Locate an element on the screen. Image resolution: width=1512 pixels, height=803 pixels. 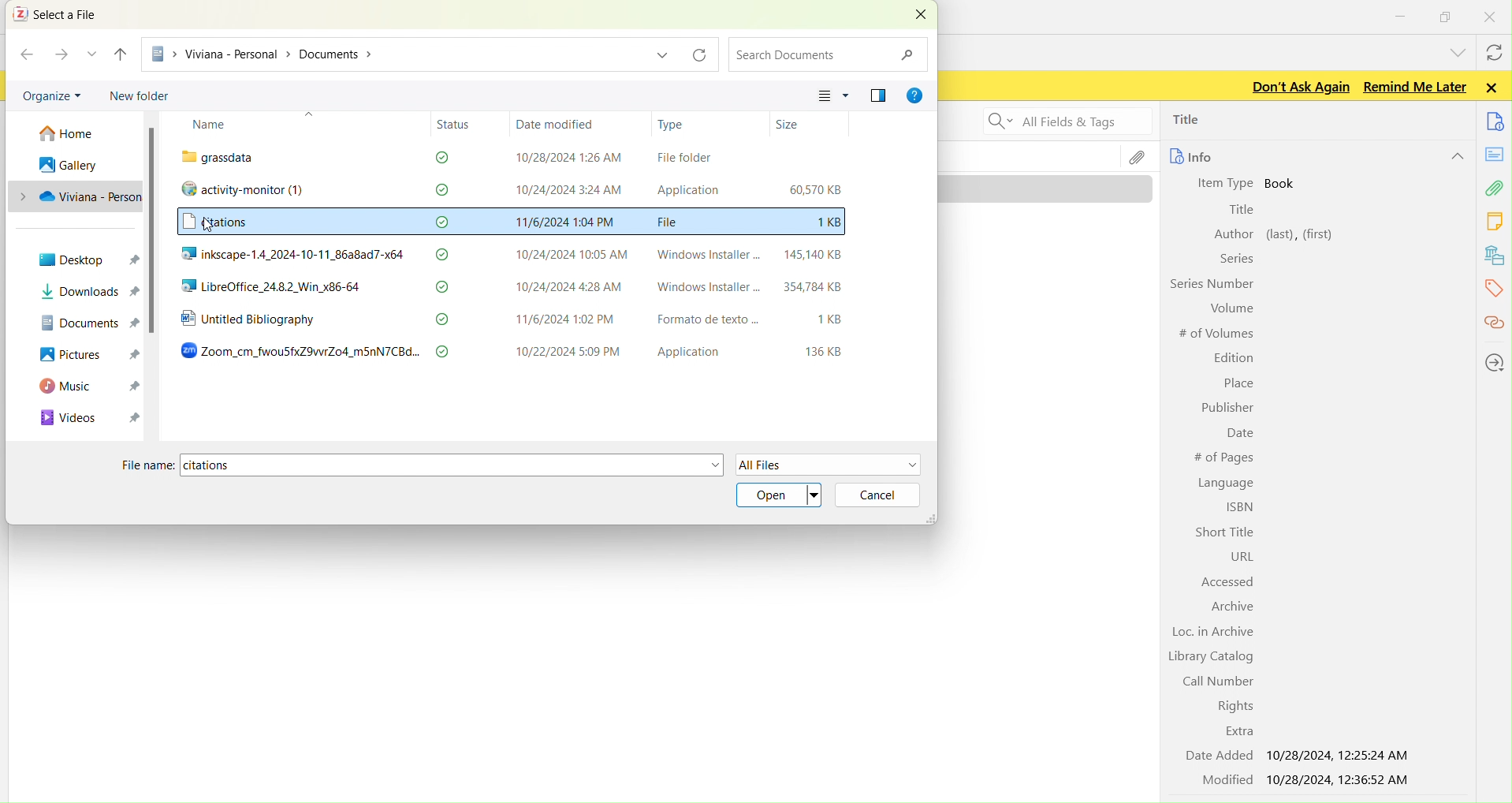
dropdown is located at coordinates (662, 57).